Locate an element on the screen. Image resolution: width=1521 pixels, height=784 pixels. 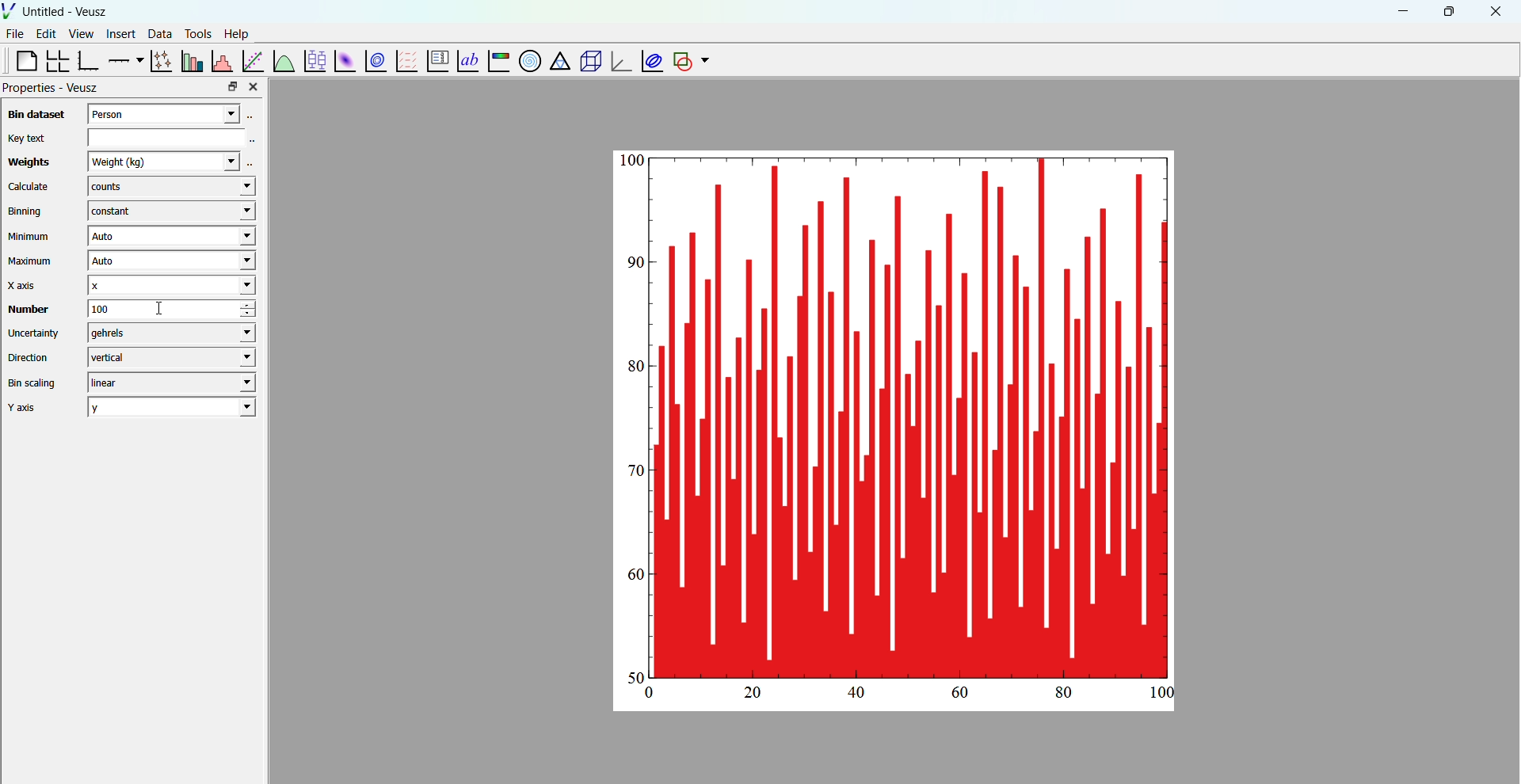
image color graph is located at coordinates (497, 63).